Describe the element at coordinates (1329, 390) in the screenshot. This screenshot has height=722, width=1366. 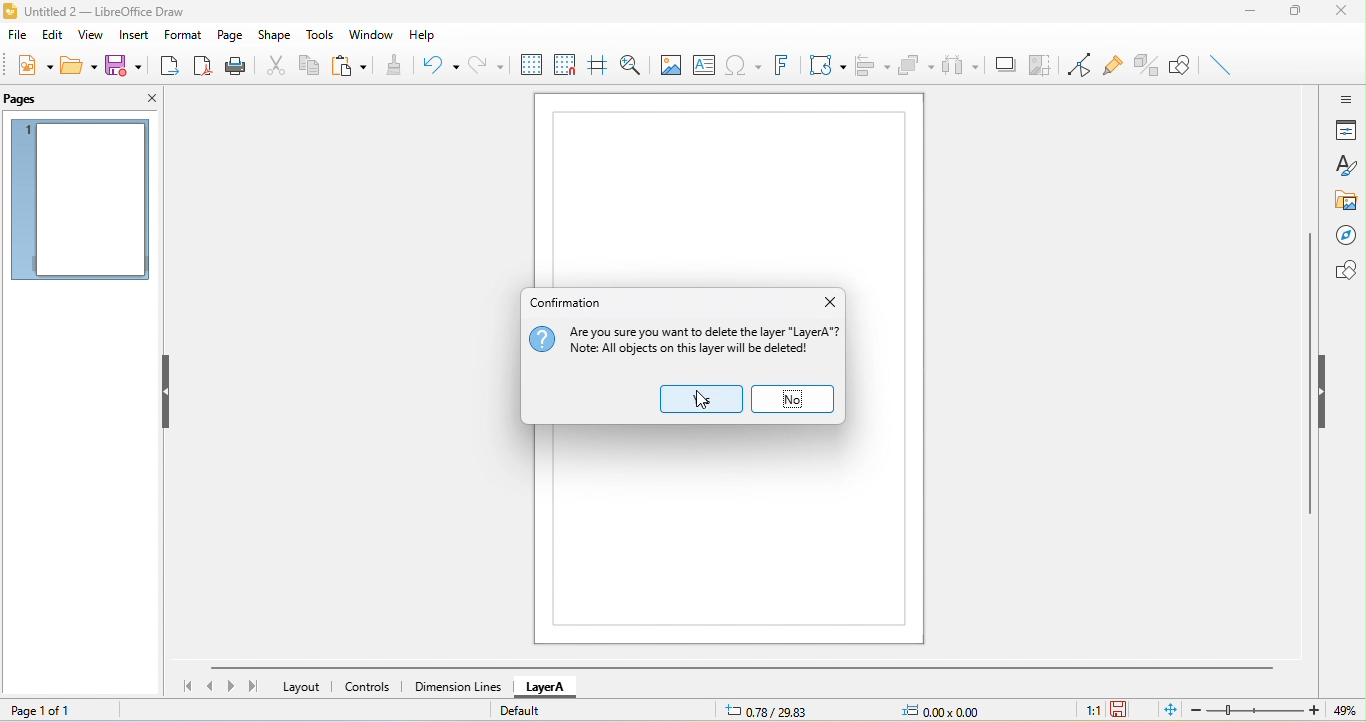
I see `hide` at that location.